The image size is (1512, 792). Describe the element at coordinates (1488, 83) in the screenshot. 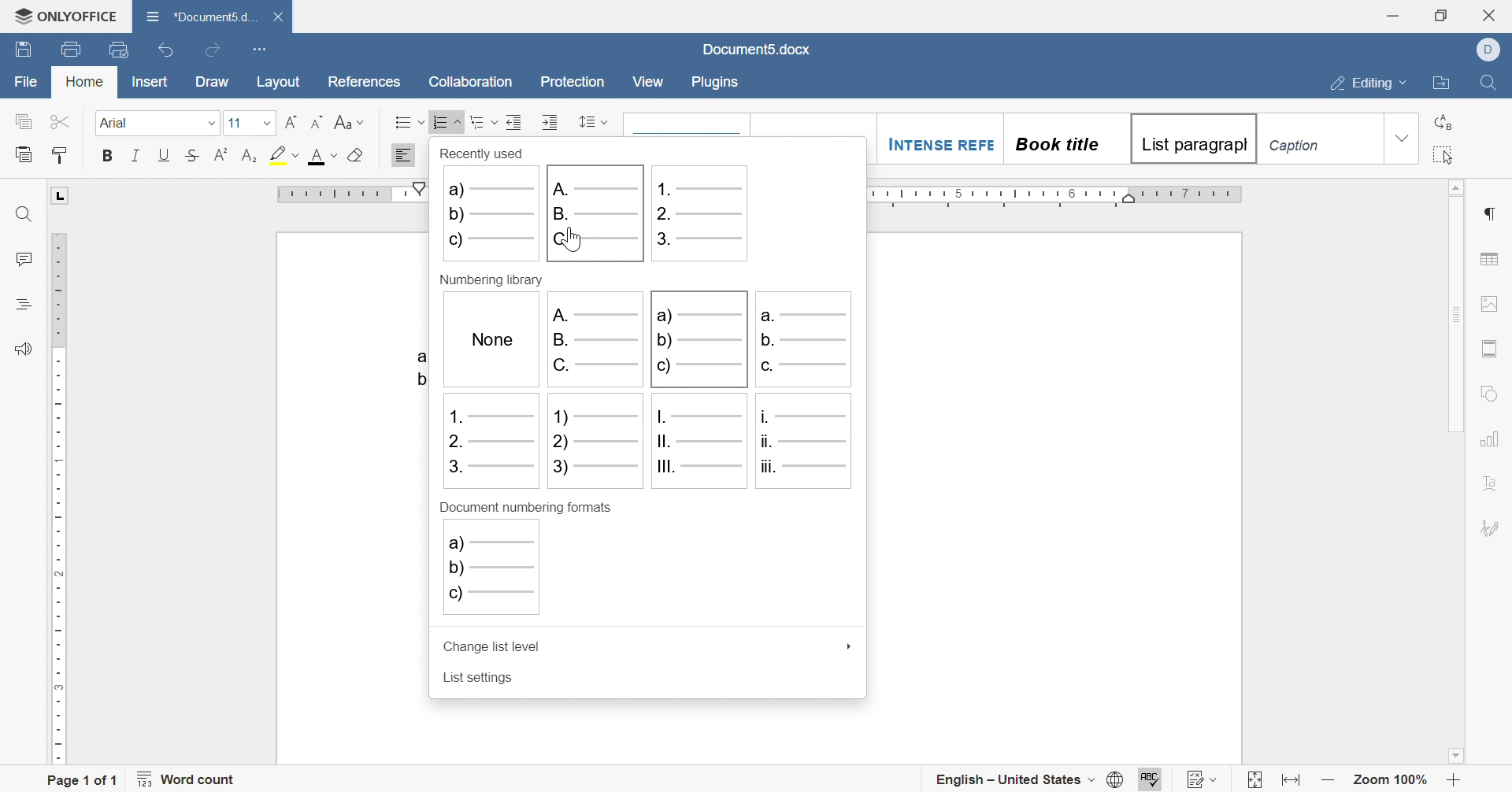

I see `find` at that location.